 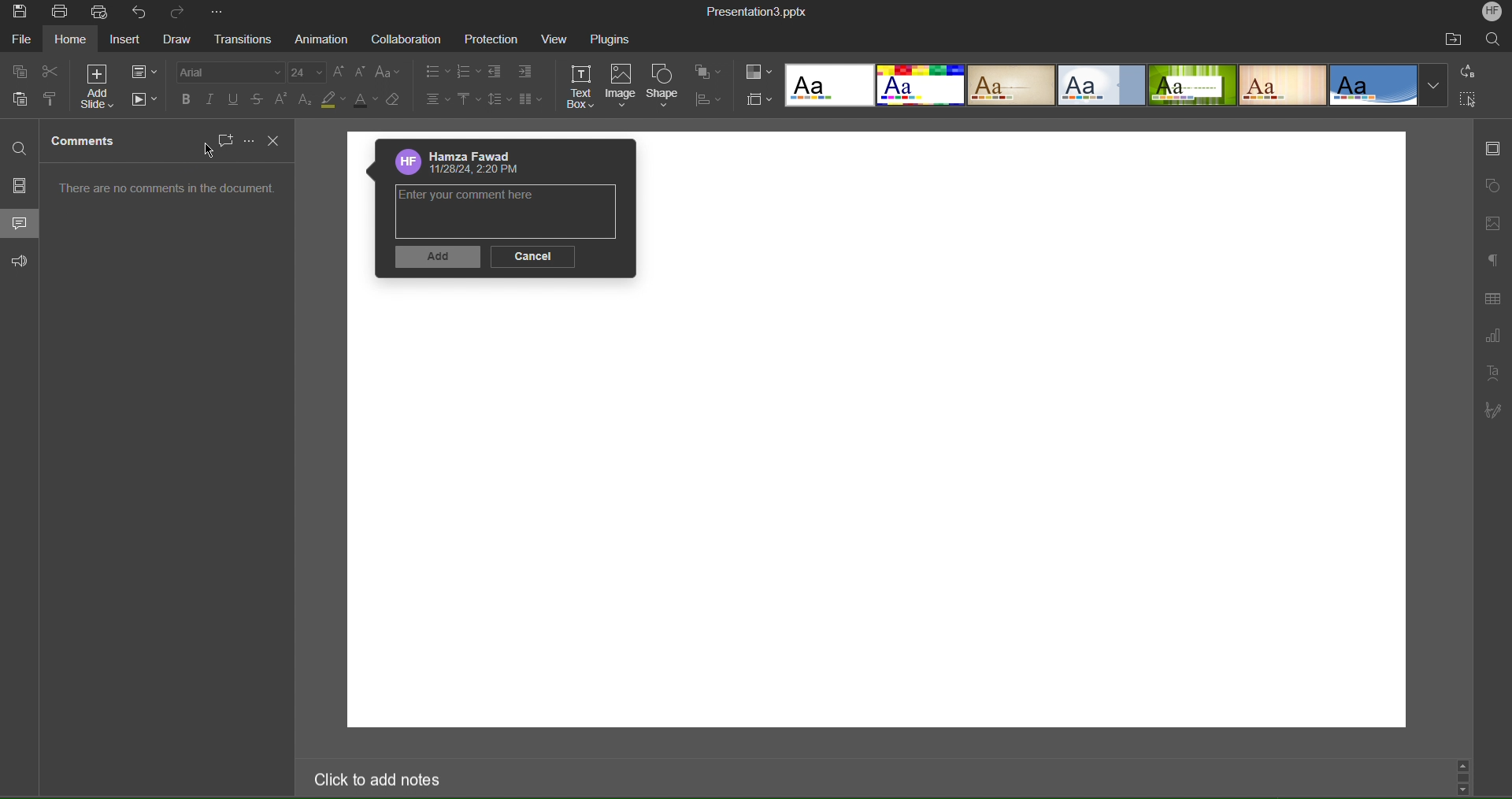 I want to click on Find, so click(x=20, y=150).